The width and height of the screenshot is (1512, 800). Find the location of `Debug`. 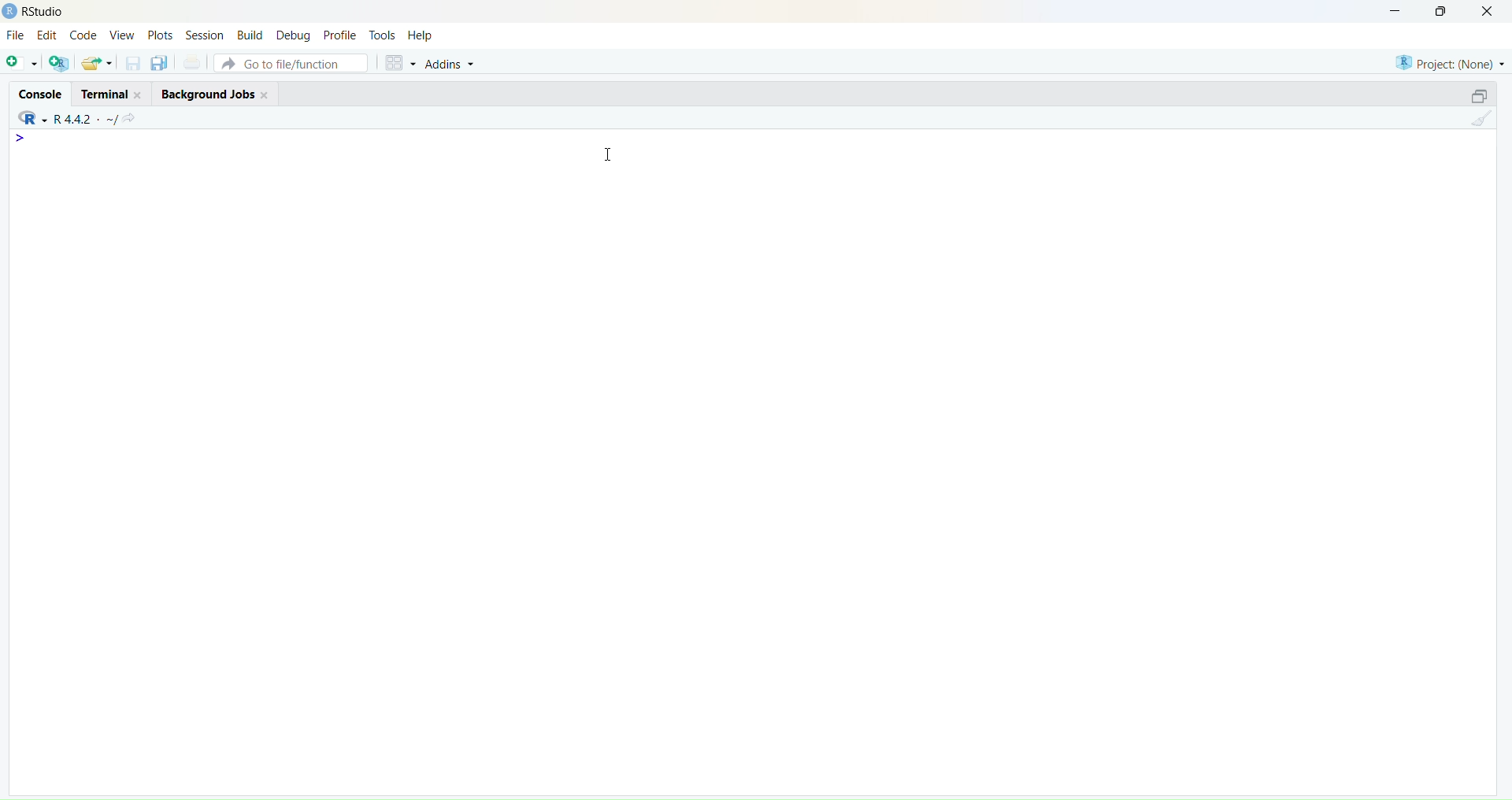

Debug is located at coordinates (293, 35).